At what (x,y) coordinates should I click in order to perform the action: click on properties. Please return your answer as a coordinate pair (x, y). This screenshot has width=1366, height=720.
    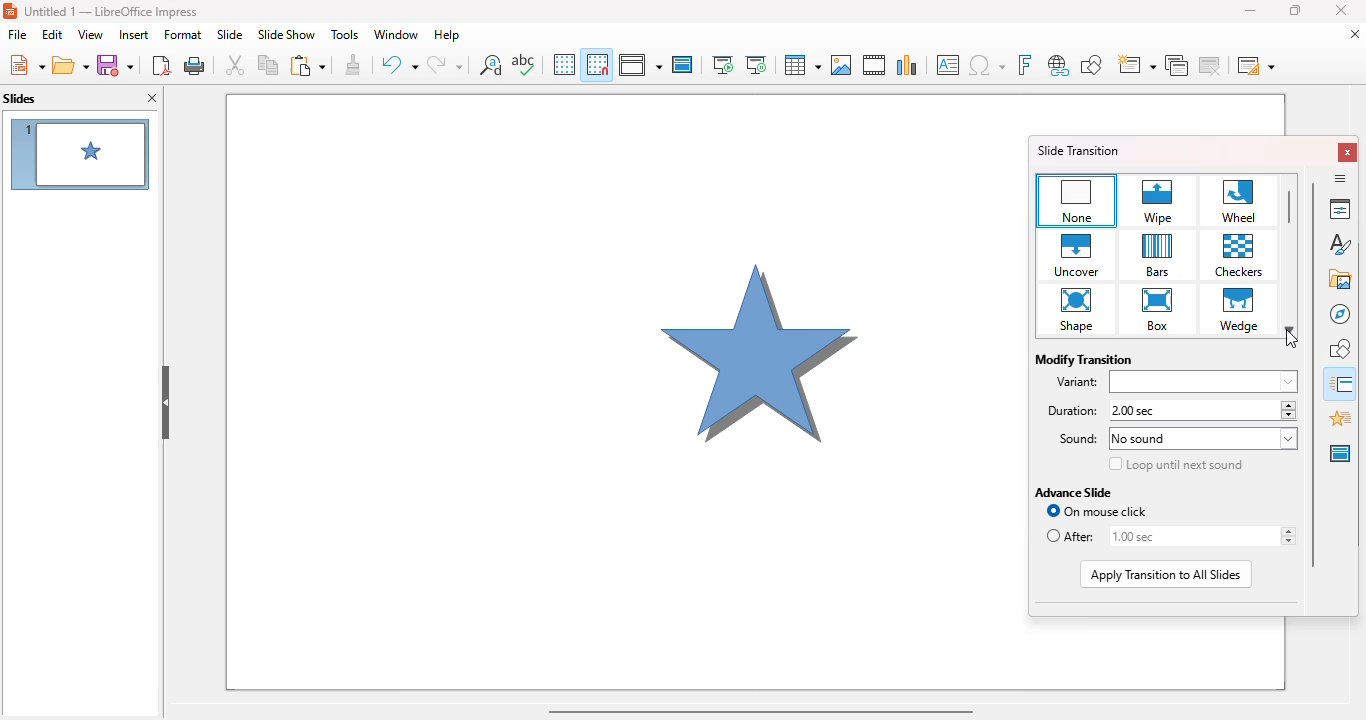
    Looking at the image, I should click on (1339, 208).